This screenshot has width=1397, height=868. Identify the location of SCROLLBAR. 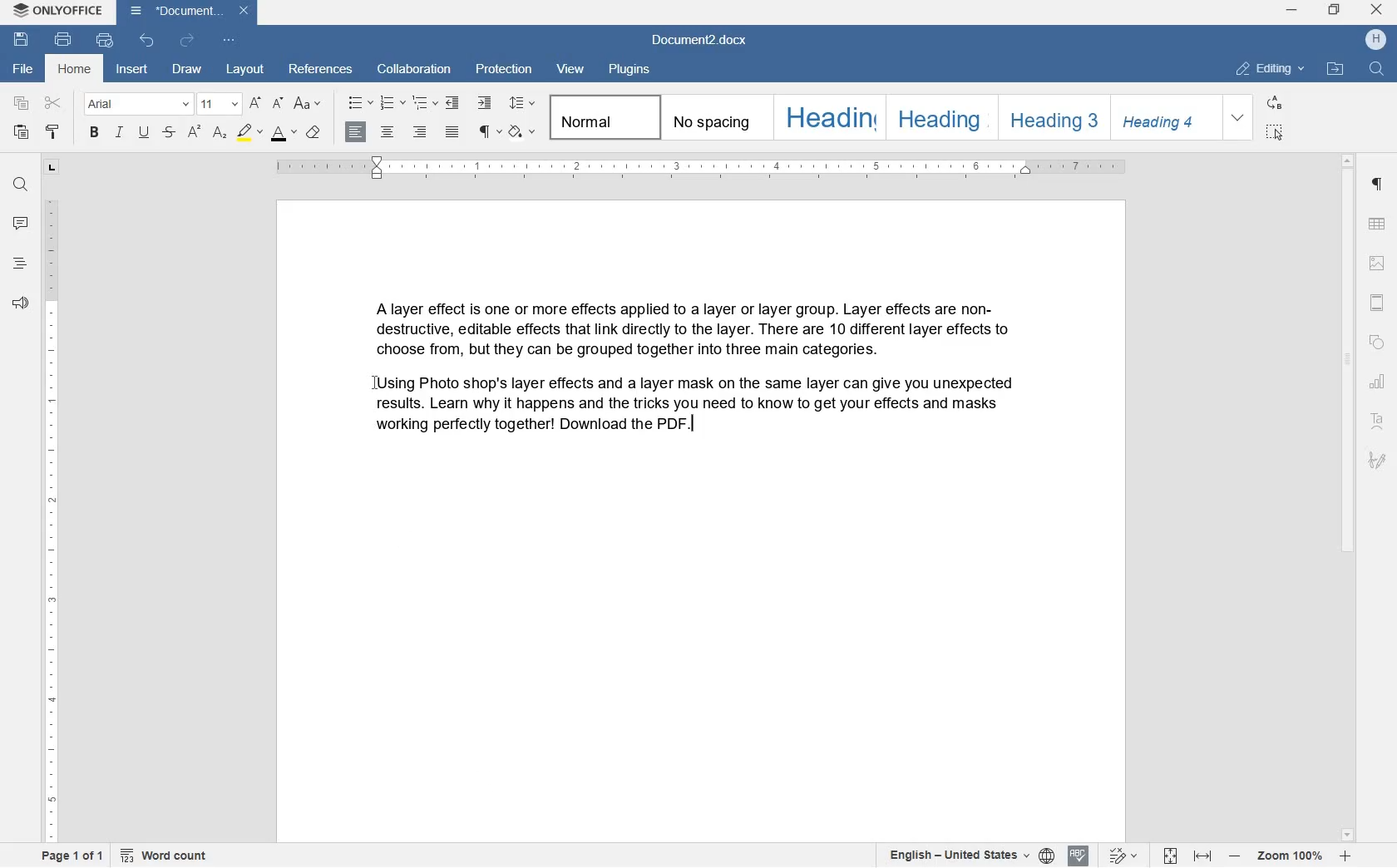
(1348, 498).